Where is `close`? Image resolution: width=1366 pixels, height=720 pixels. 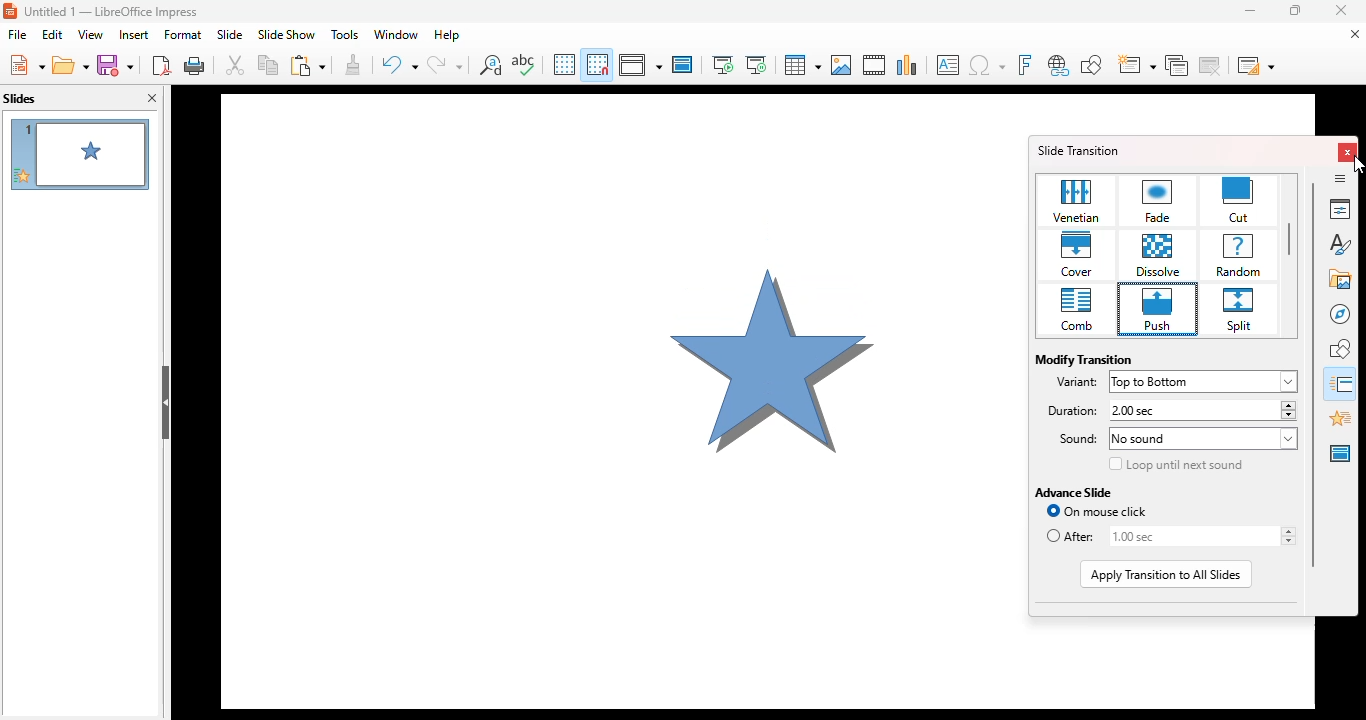
close is located at coordinates (1341, 10).